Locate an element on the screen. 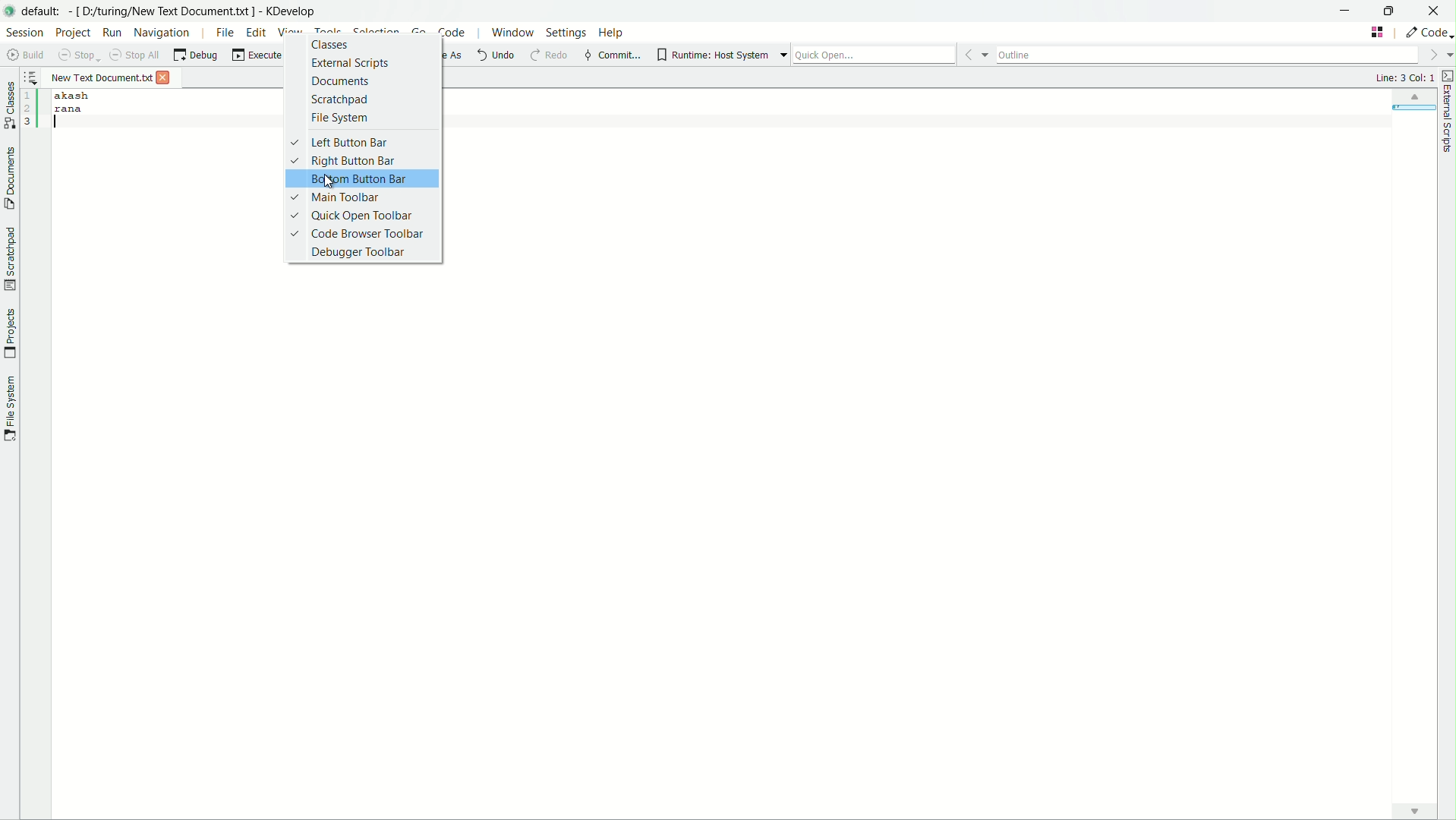 The image size is (1456, 820). settings menu is located at coordinates (567, 33).